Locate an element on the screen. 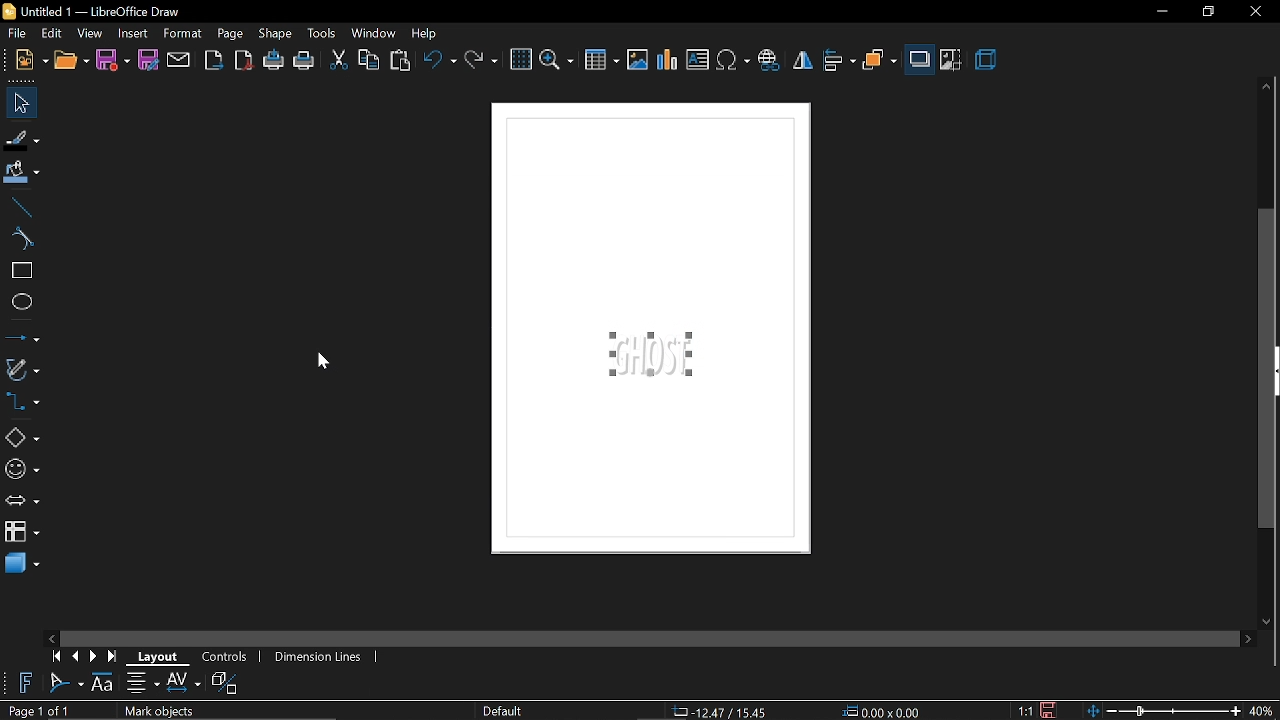 Image resolution: width=1280 pixels, height=720 pixels. page is located at coordinates (230, 34).